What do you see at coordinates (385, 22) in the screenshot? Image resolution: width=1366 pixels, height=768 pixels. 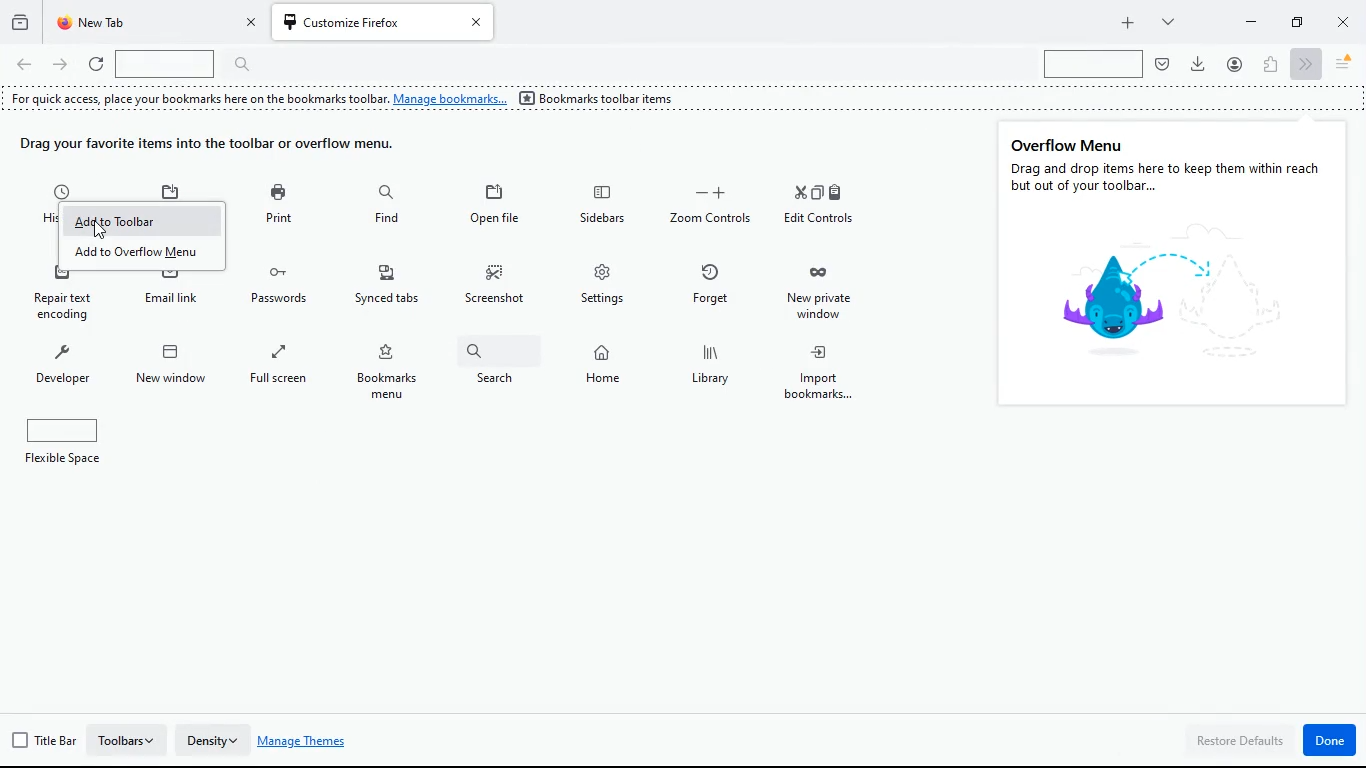 I see `Tab` at bounding box center [385, 22].